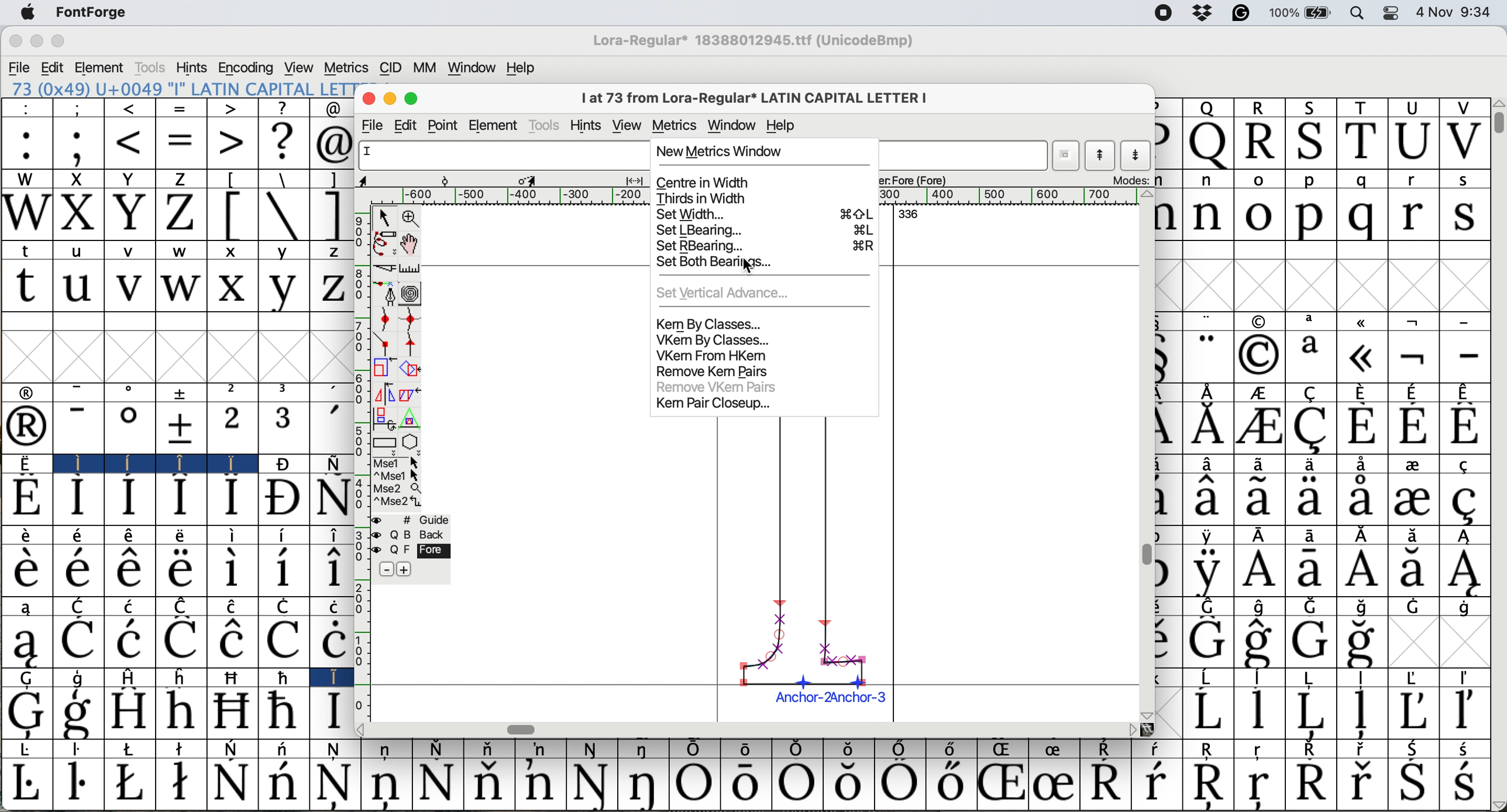  I want to click on Symbol, so click(1317, 678).